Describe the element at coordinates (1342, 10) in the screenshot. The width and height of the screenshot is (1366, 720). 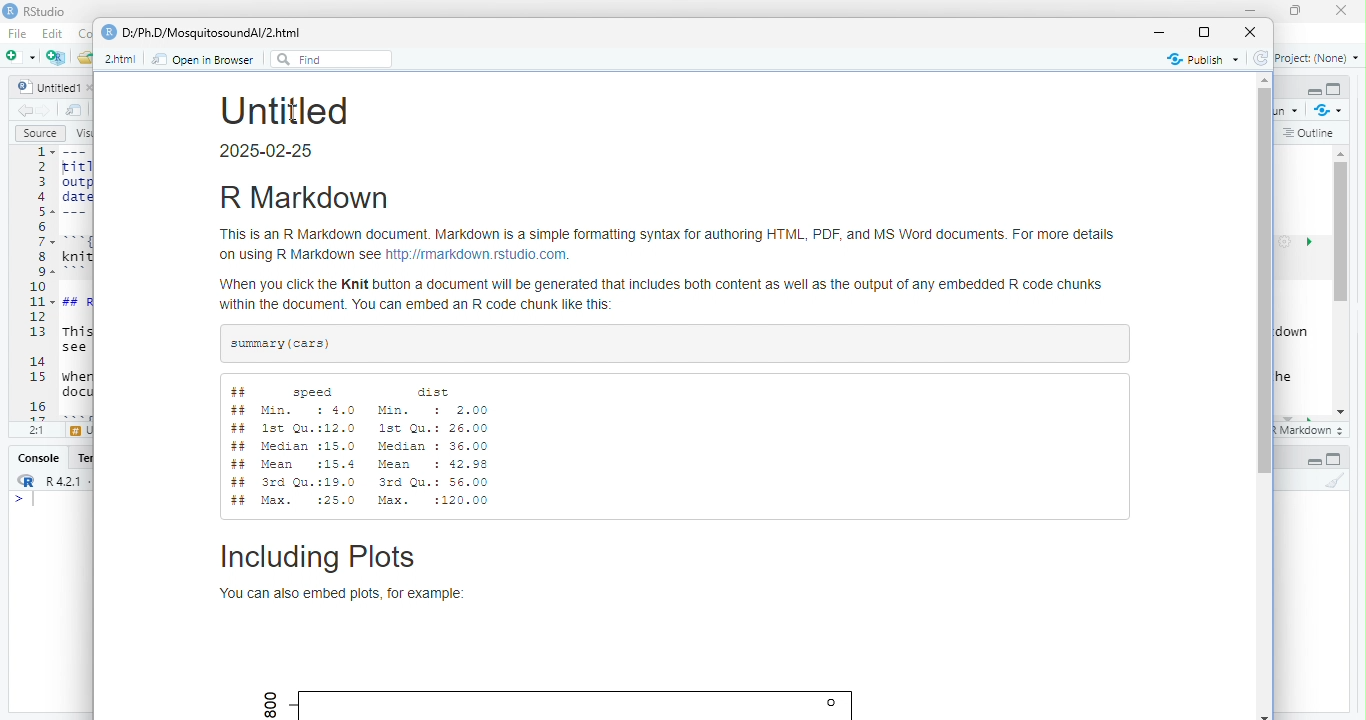
I see `close` at that location.